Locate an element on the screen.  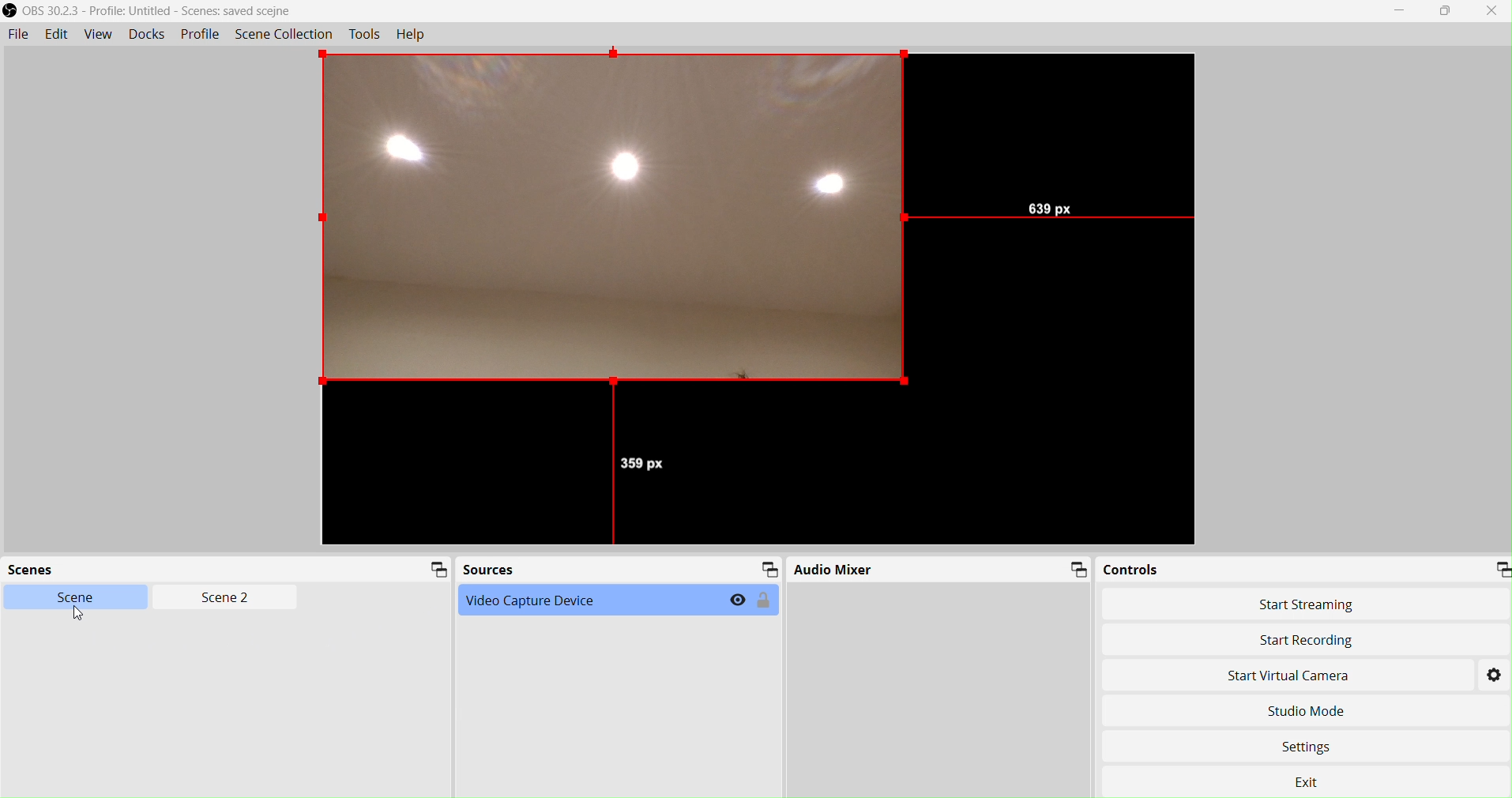
box is located at coordinates (1448, 12).